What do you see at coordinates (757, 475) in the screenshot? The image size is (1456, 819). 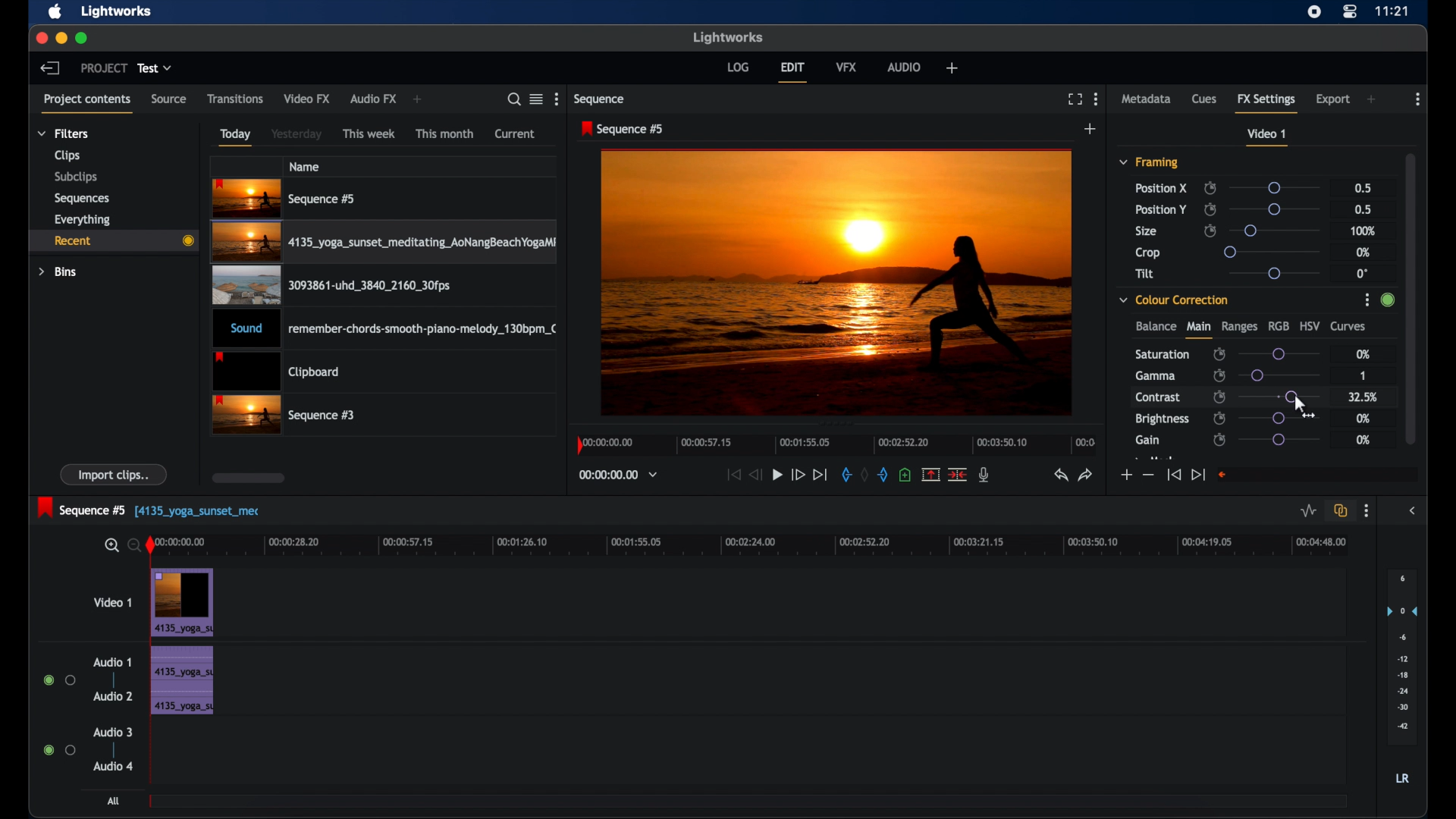 I see `rewind` at bounding box center [757, 475].